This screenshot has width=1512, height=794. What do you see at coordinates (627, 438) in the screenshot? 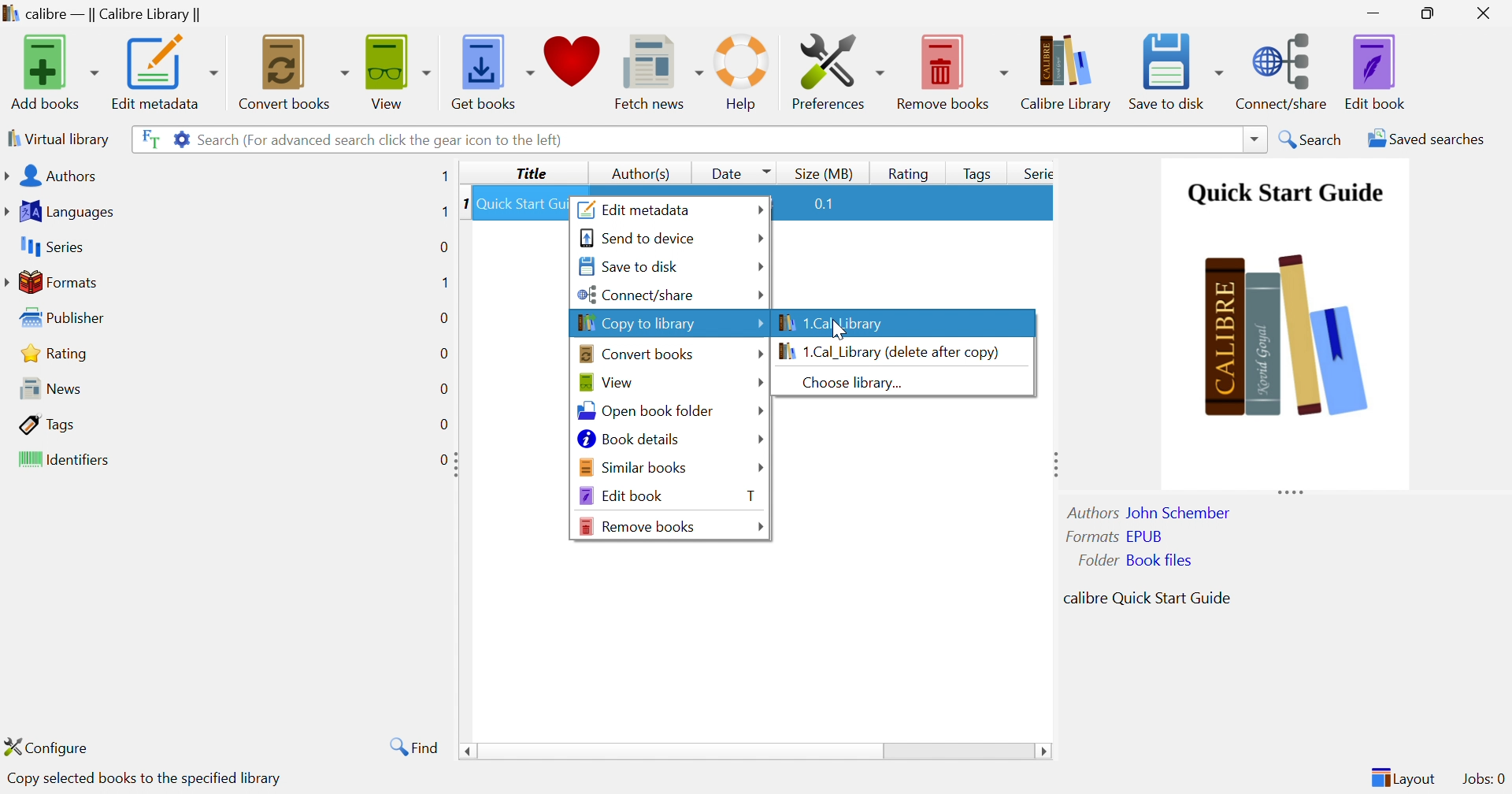
I see `Book details` at bounding box center [627, 438].